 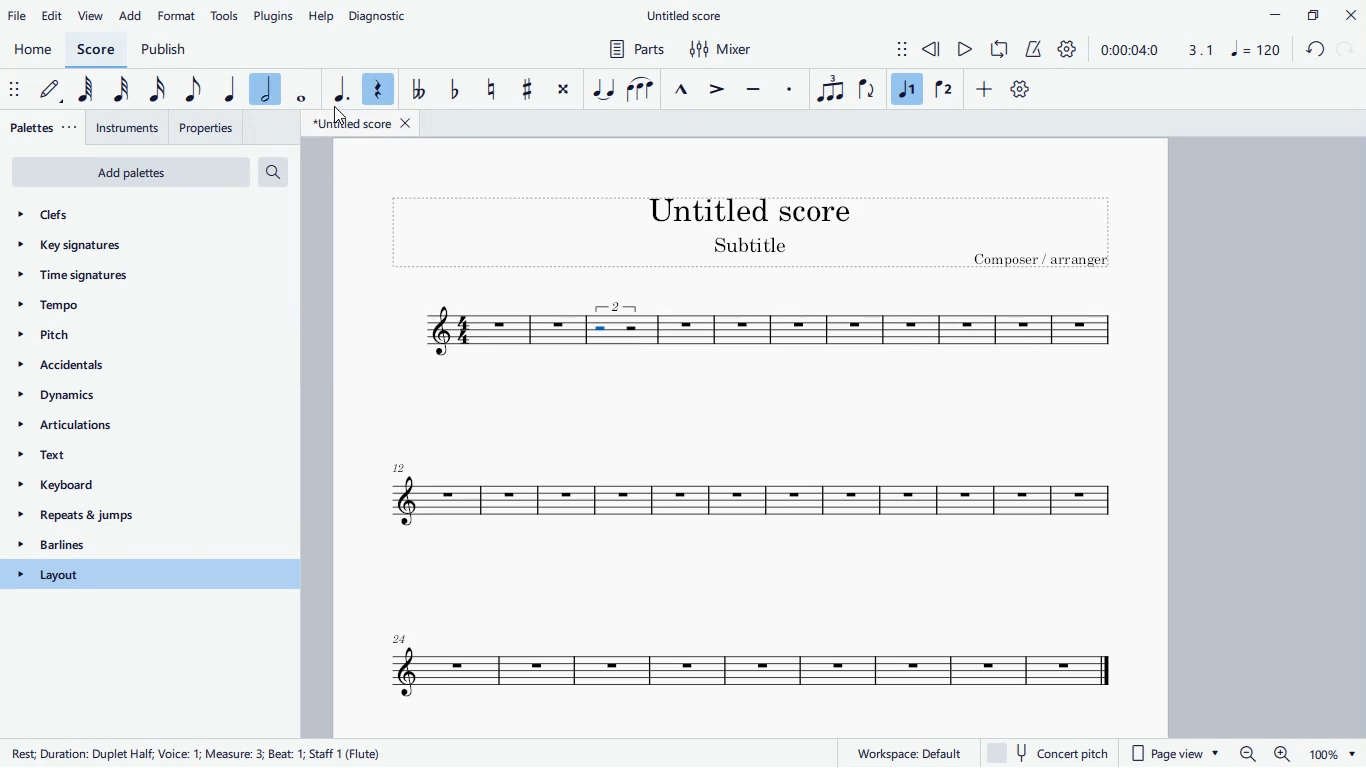 I want to click on tenuto, so click(x=756, y=87).